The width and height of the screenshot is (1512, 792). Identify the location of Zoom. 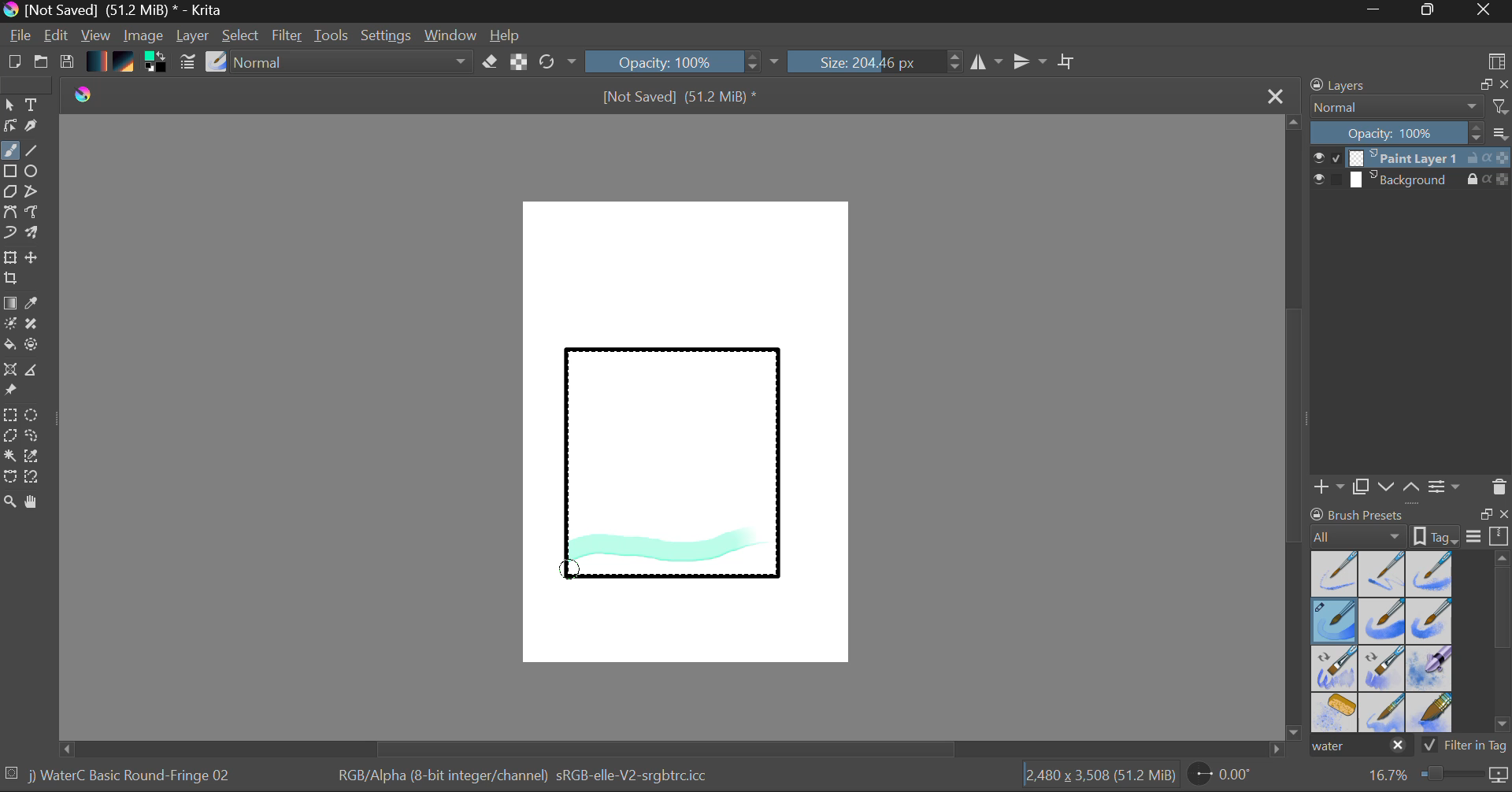
(1436, 775).